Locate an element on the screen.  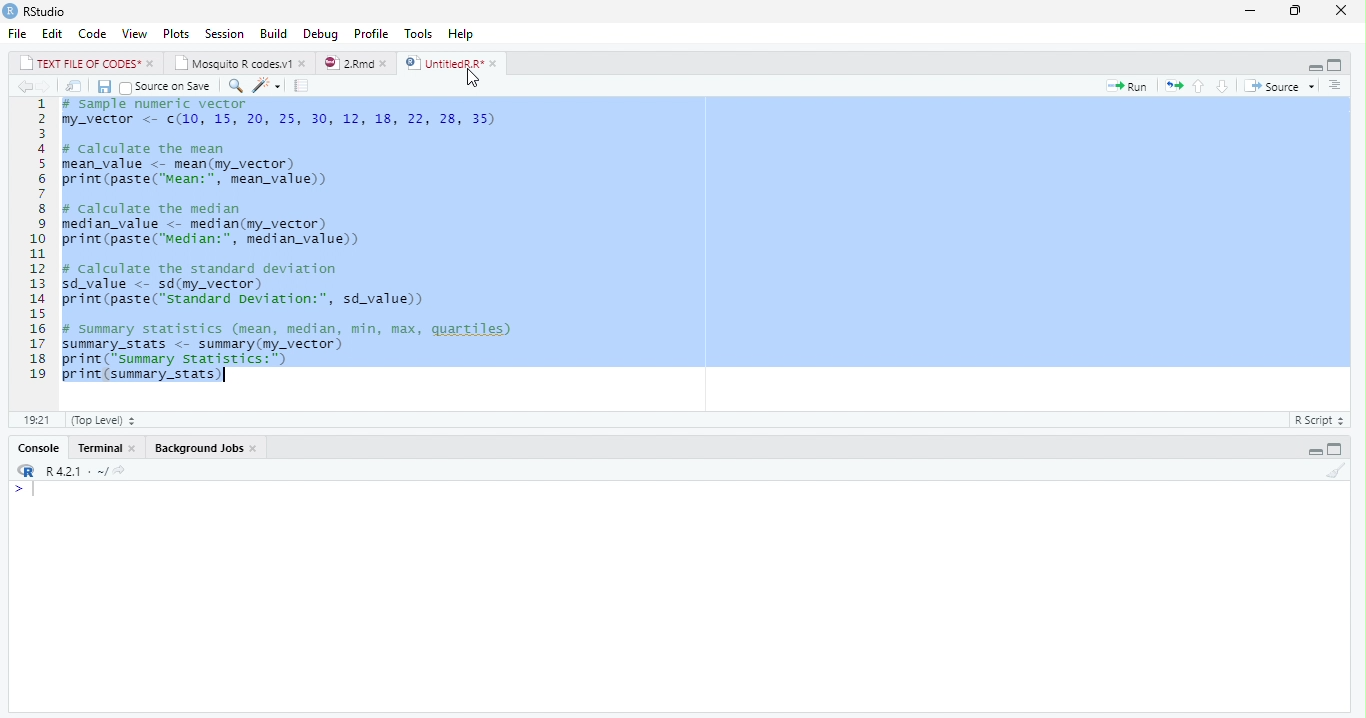
close is located at coordinates (496, 64).